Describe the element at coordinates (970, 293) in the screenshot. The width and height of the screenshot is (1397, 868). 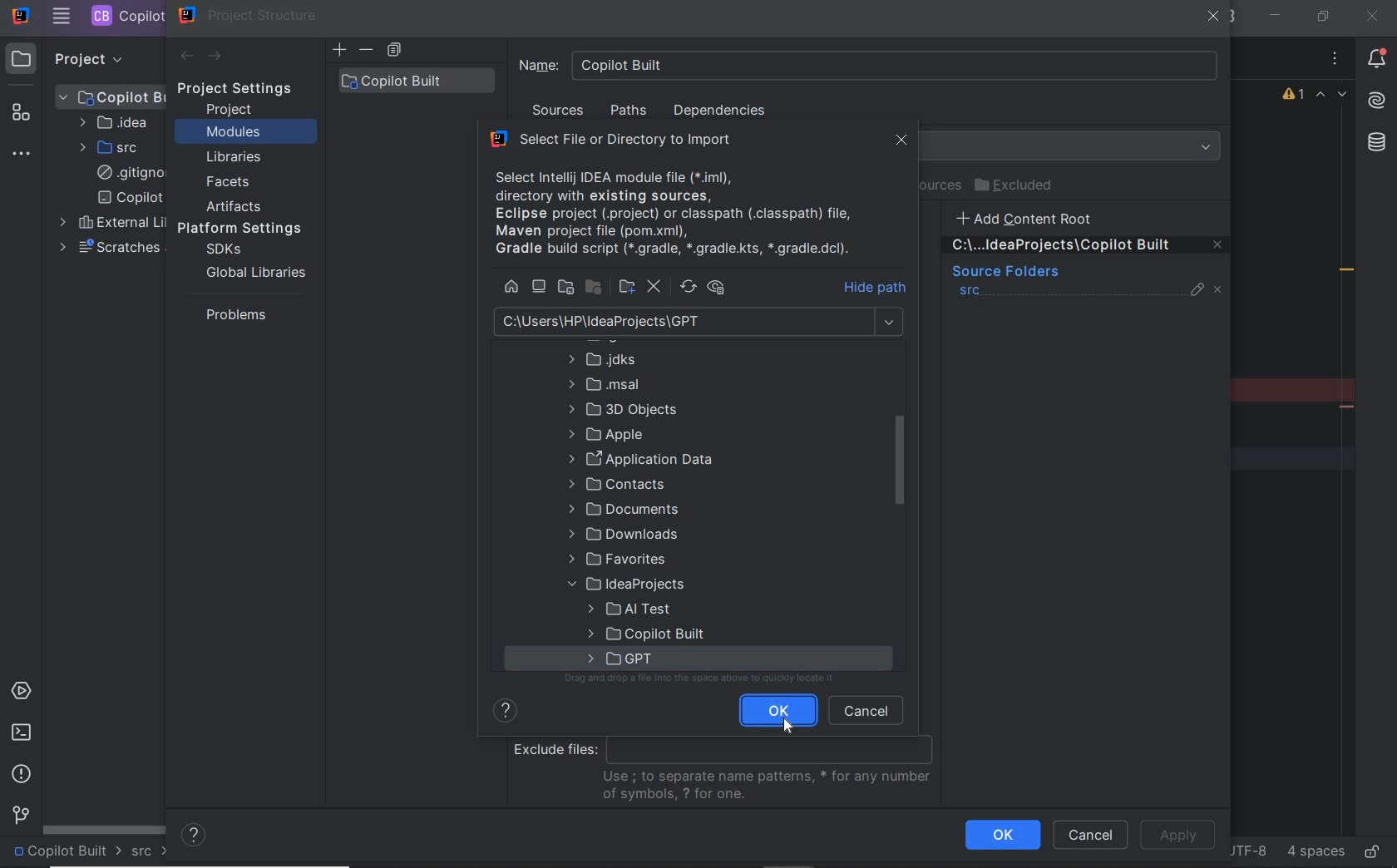
I see `src` at that location.